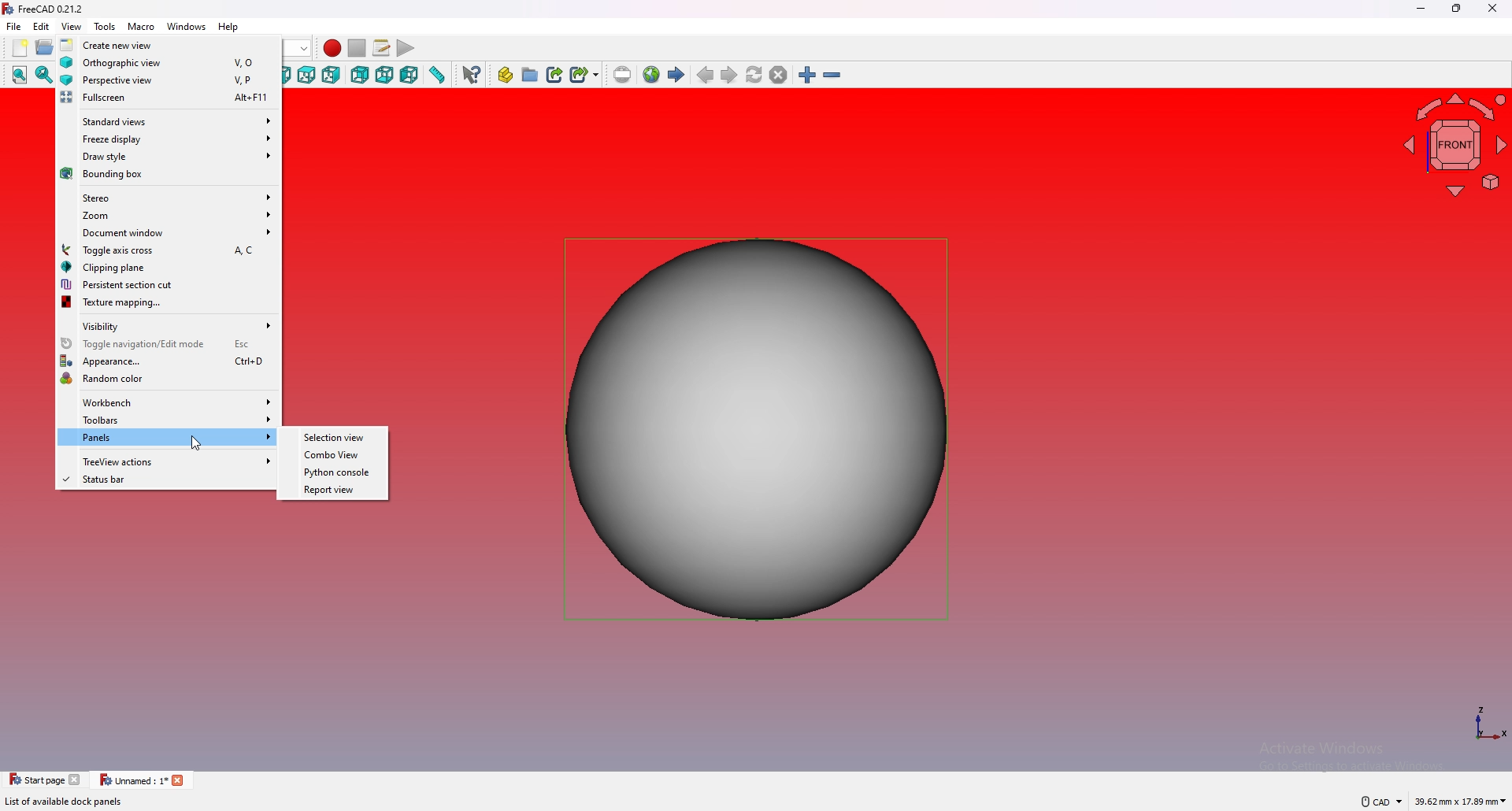 Image resolution: width=1512 pixels, height=811 pixels. I want to click on help, so click(229, 27).